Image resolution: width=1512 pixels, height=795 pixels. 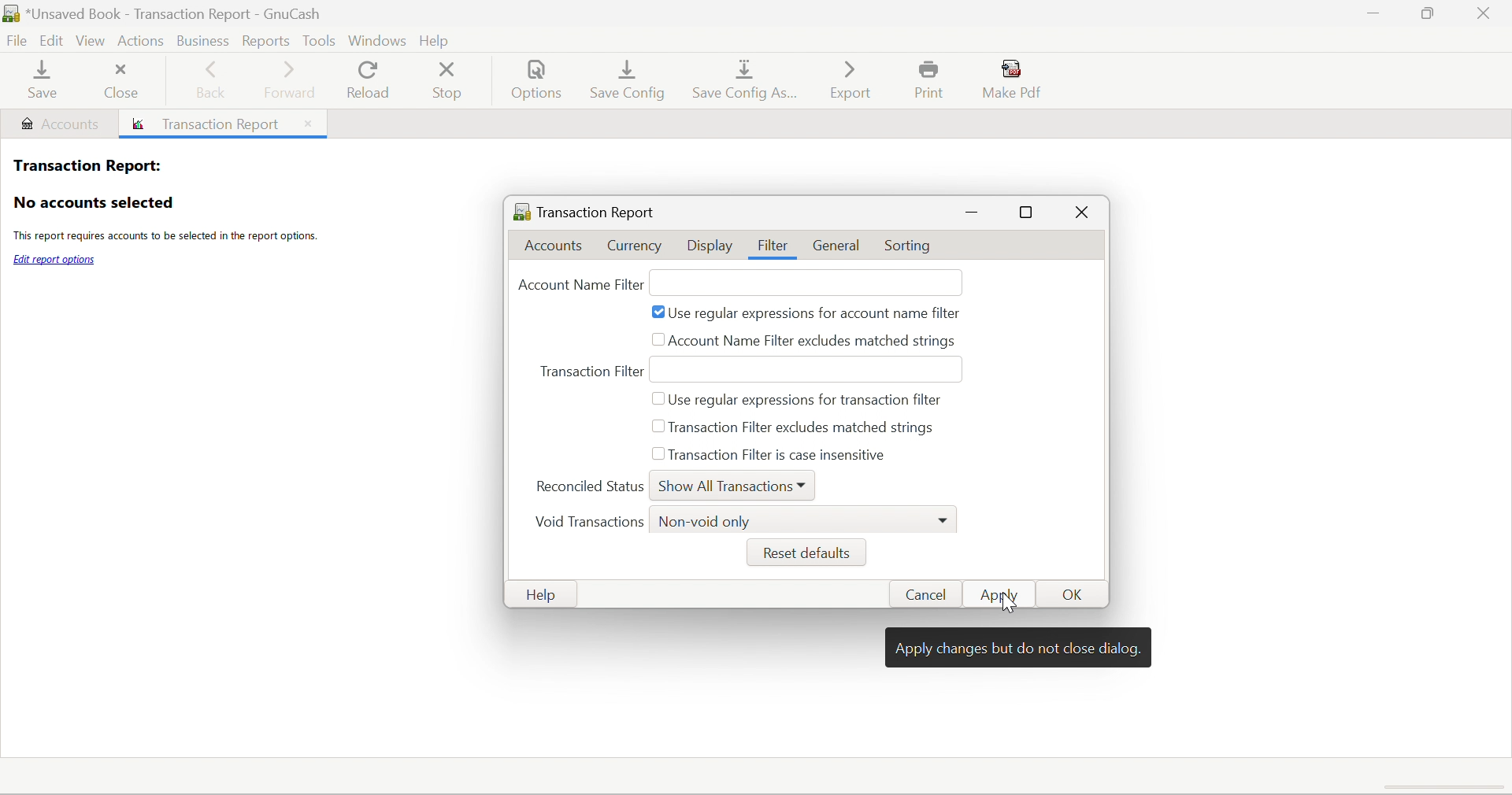 I want to click on Use regular expressions for account name filter, so click(x=817, y=315).